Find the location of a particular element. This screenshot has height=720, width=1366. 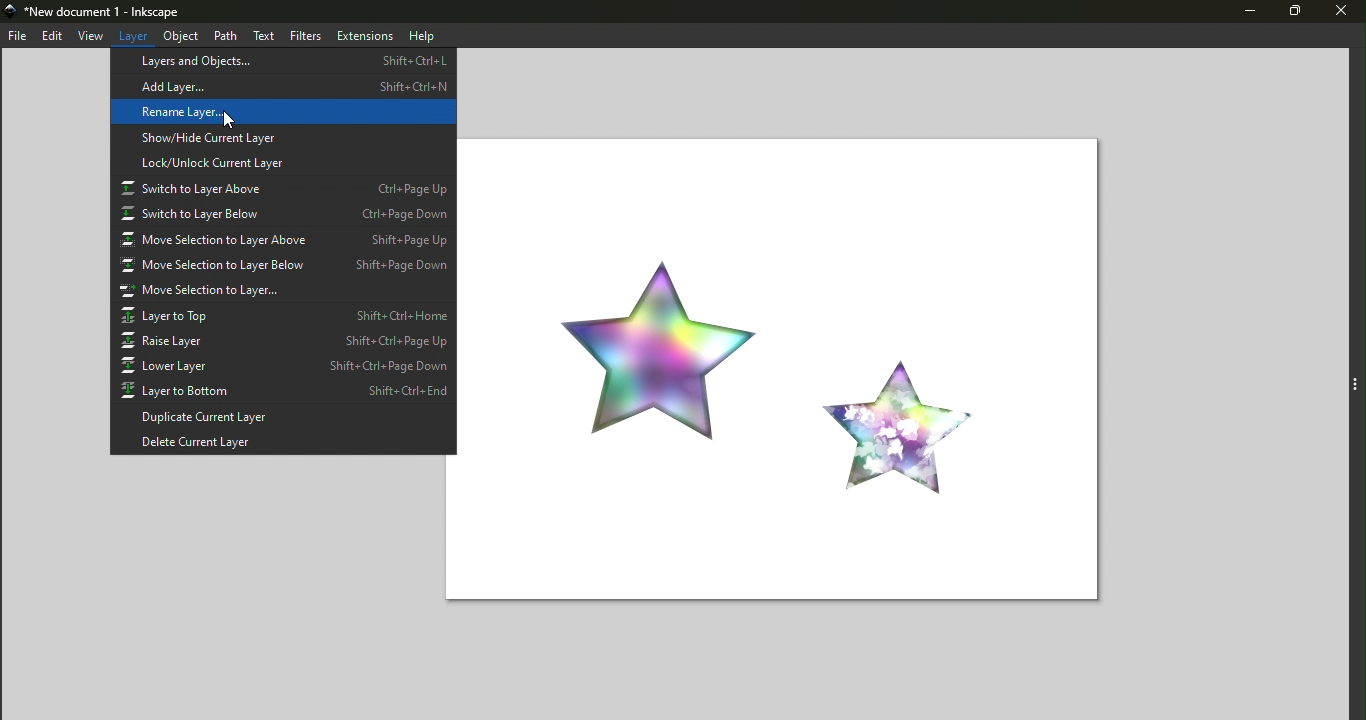

Lower layer is located at coordinates (281, 364).